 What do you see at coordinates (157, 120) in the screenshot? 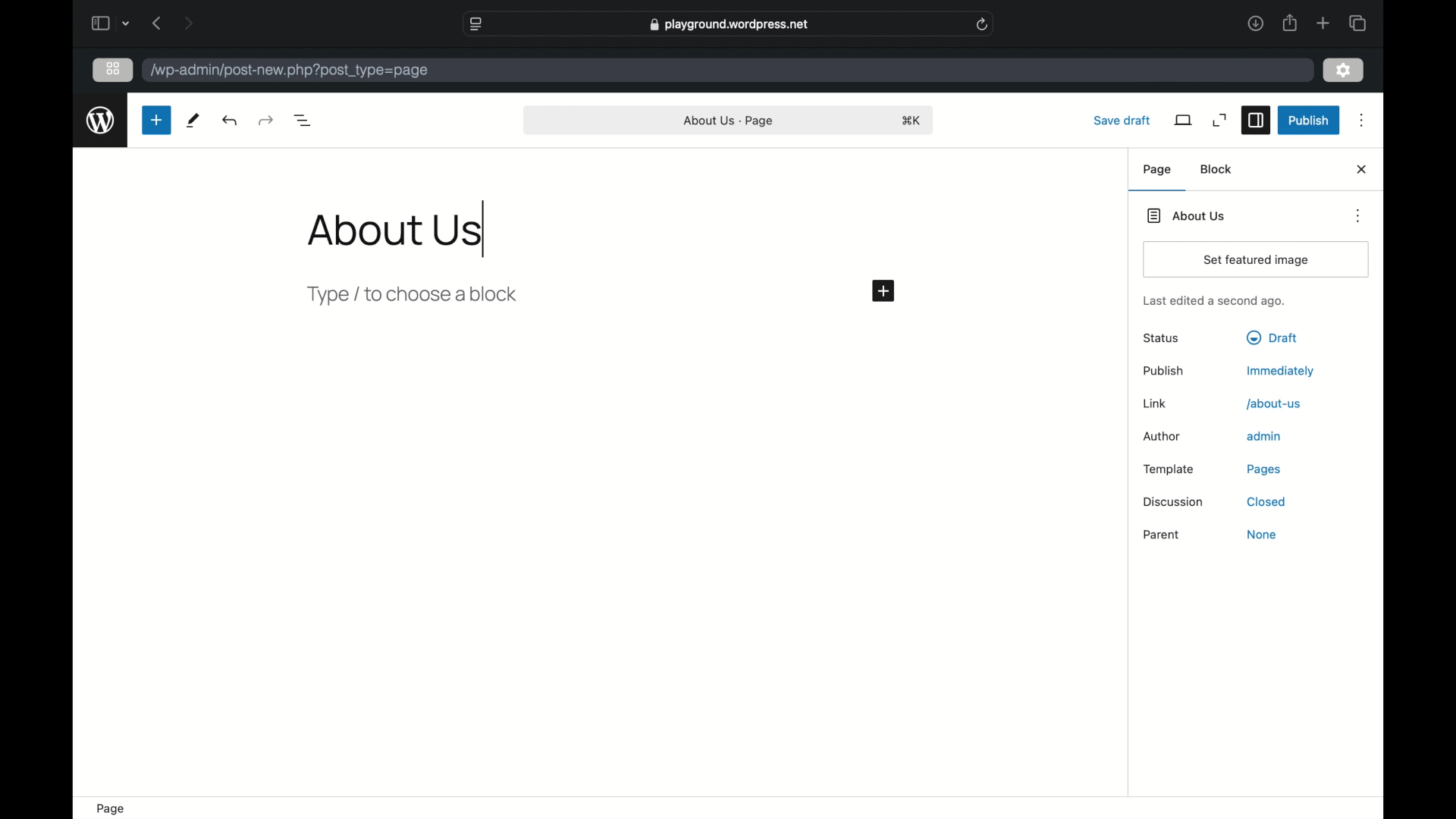
I see `new` at bounding box center [157, 120].